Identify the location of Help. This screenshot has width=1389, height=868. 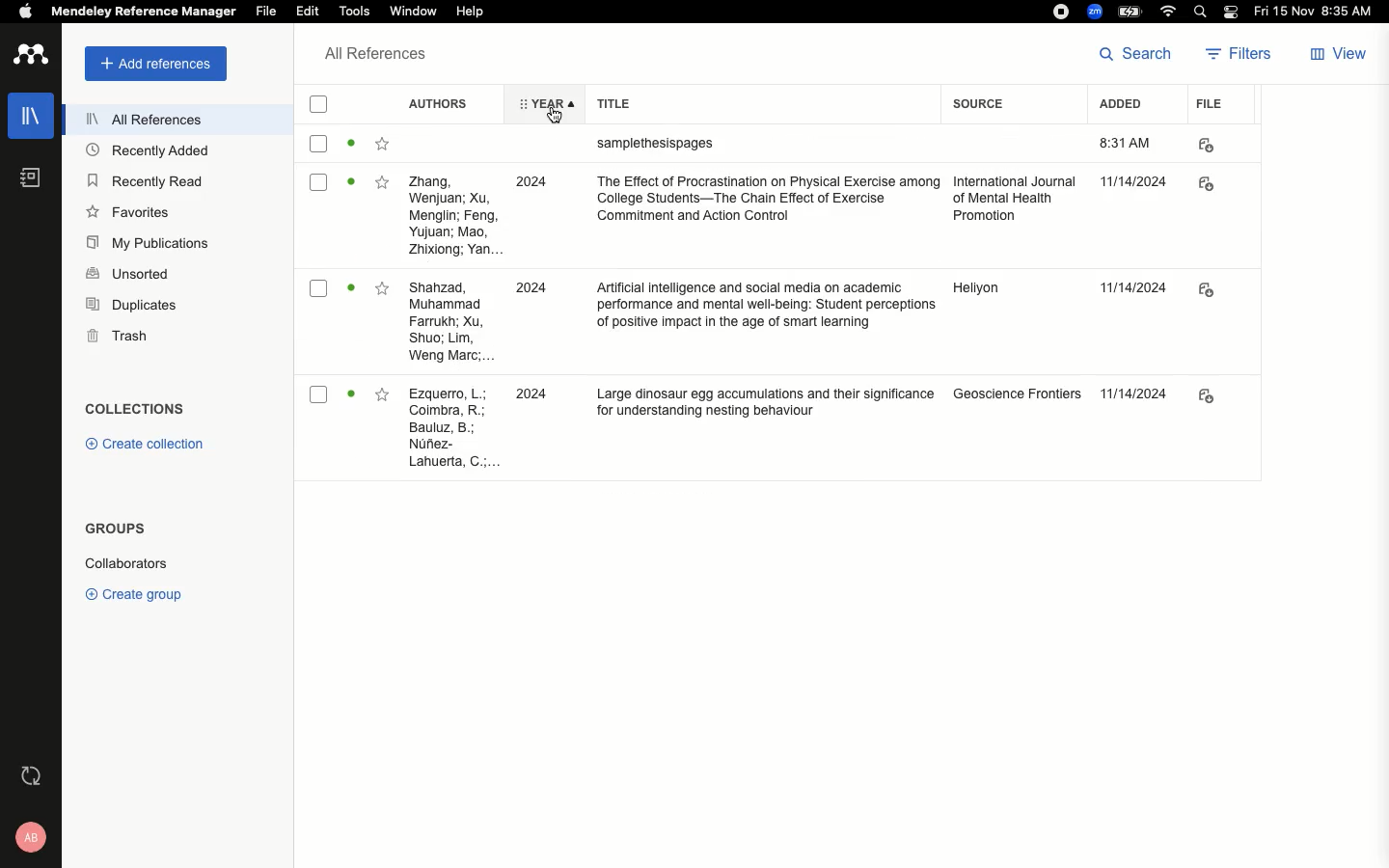
(466, 14).